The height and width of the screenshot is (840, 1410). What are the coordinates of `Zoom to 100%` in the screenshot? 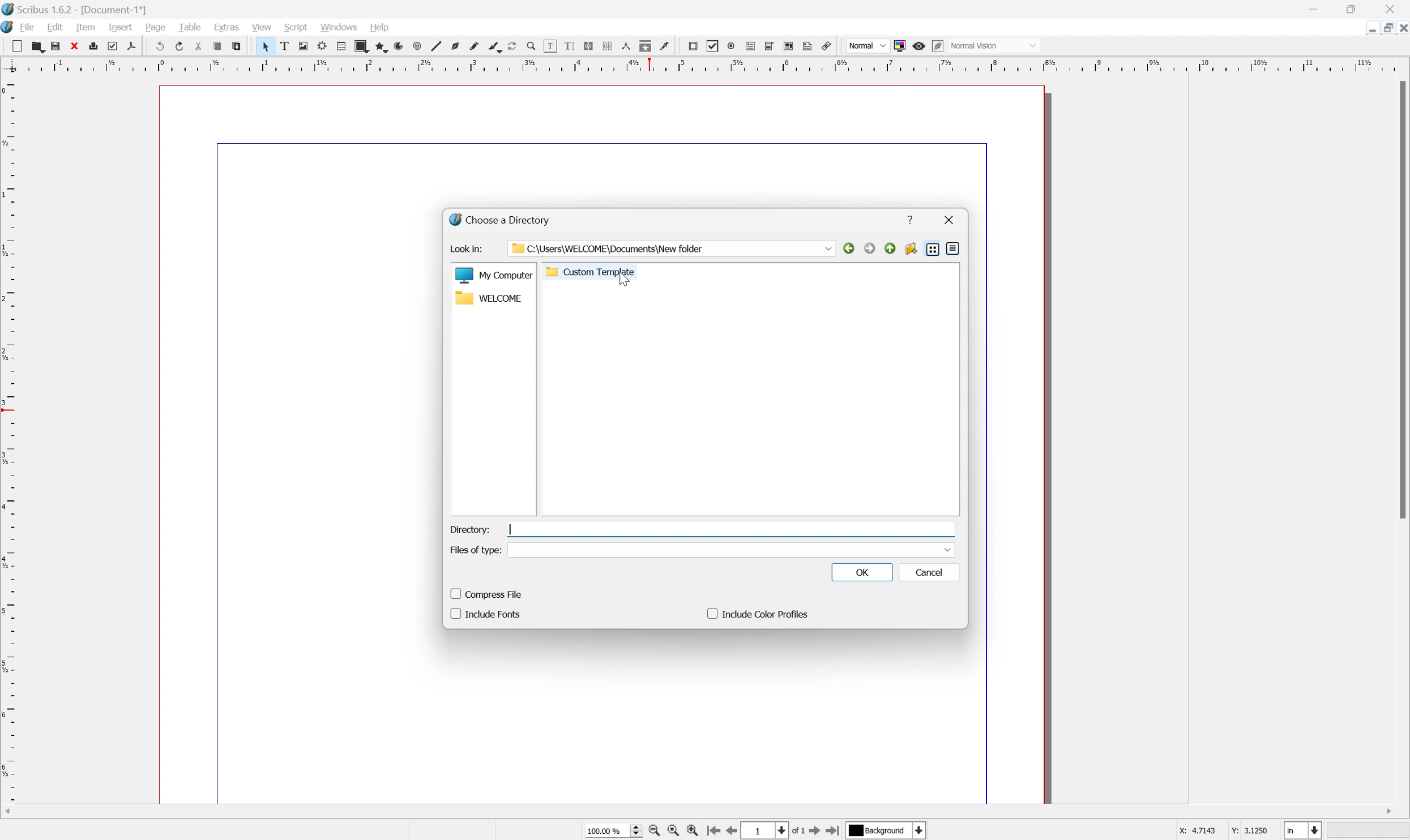 It's located at (671, 832).